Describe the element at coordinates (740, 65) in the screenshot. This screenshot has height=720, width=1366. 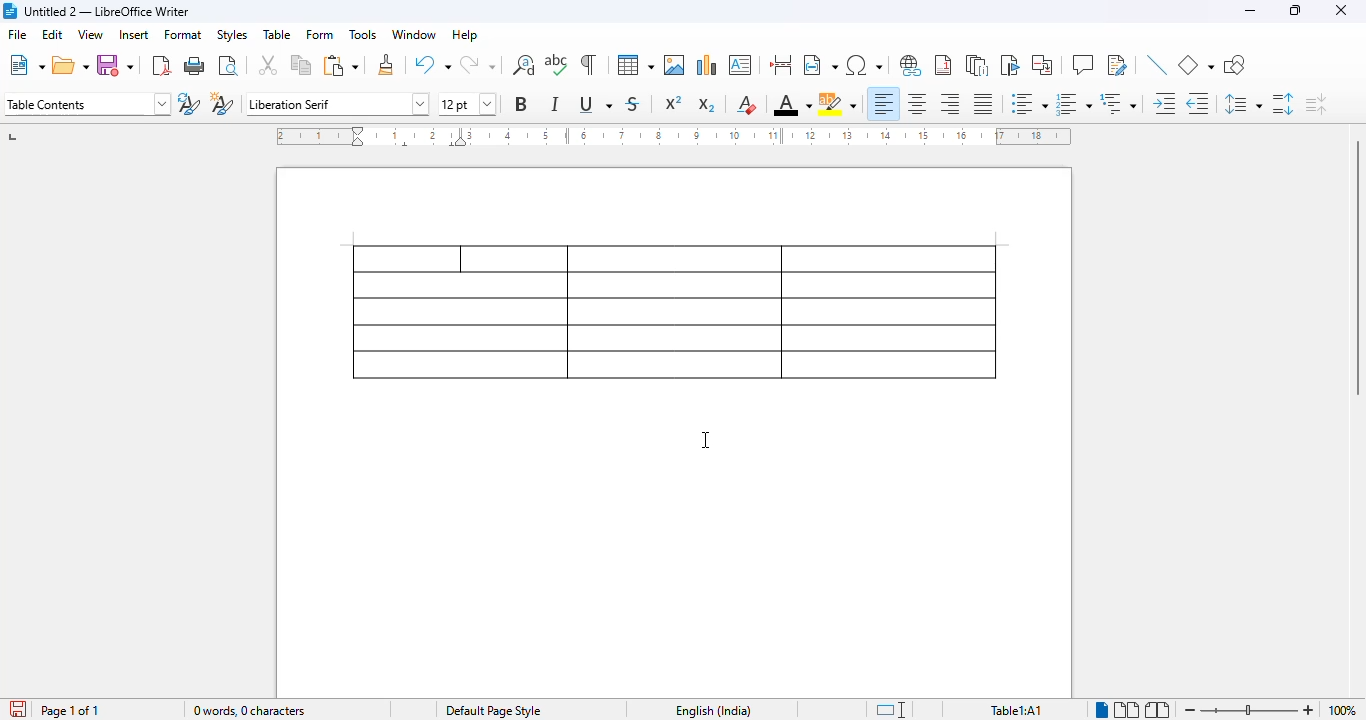
I see `insert text box` at that location.